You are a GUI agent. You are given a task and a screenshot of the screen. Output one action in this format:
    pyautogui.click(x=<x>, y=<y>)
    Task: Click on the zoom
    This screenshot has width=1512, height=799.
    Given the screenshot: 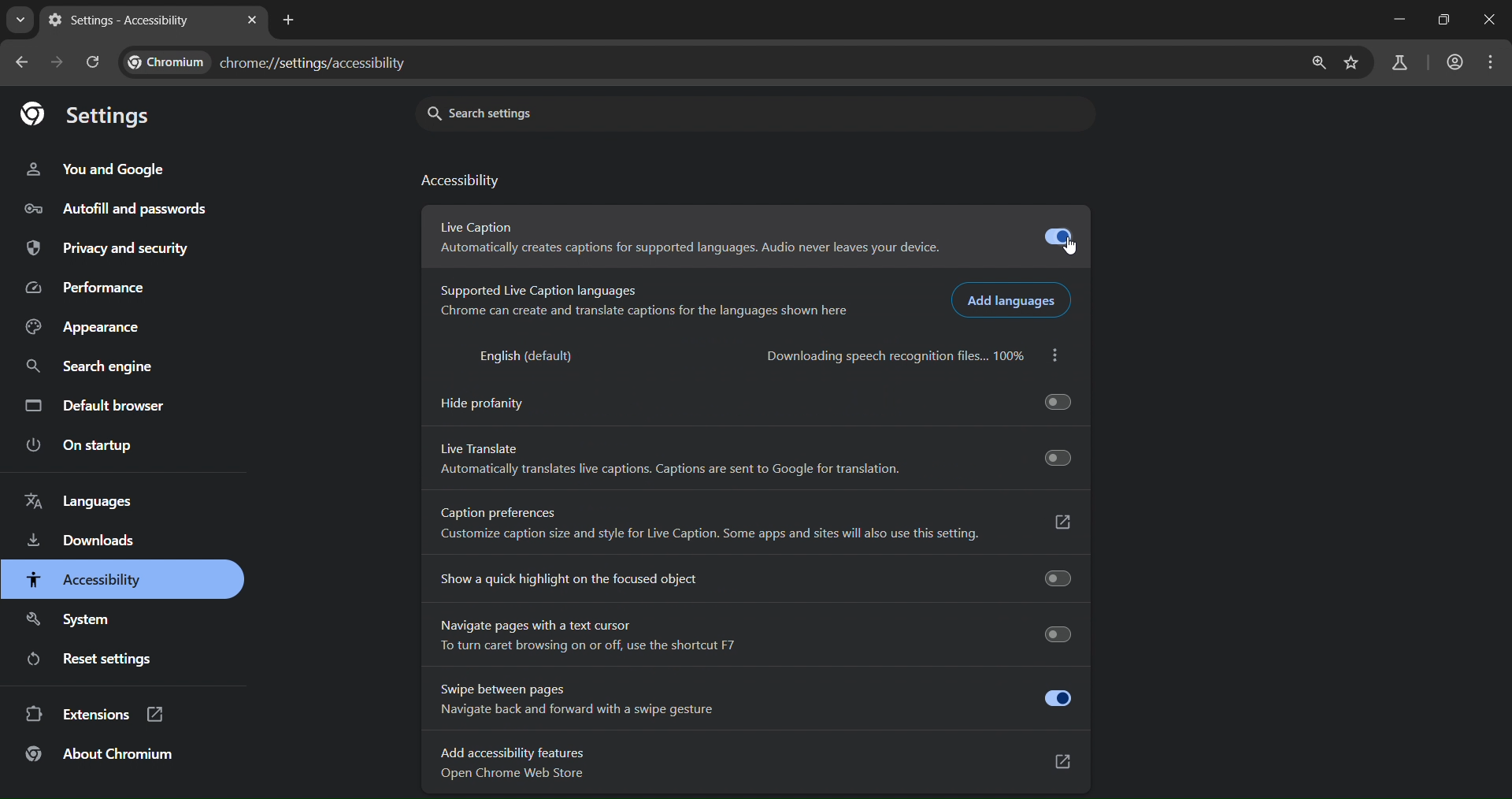 What is the action you would take?
    pyautogui.click(x=1318, y=63)
    